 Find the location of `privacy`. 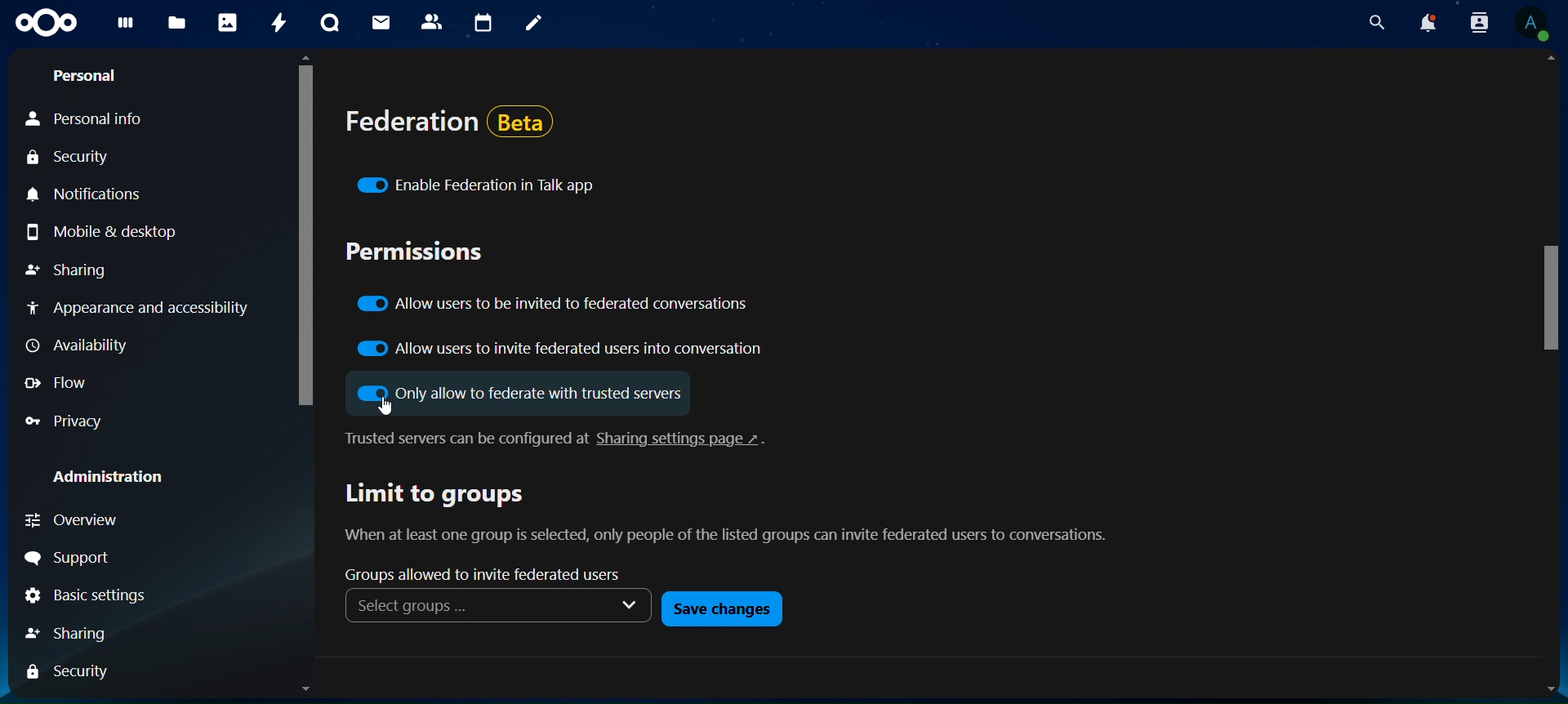

privacy is located at coordinates (71, 424).